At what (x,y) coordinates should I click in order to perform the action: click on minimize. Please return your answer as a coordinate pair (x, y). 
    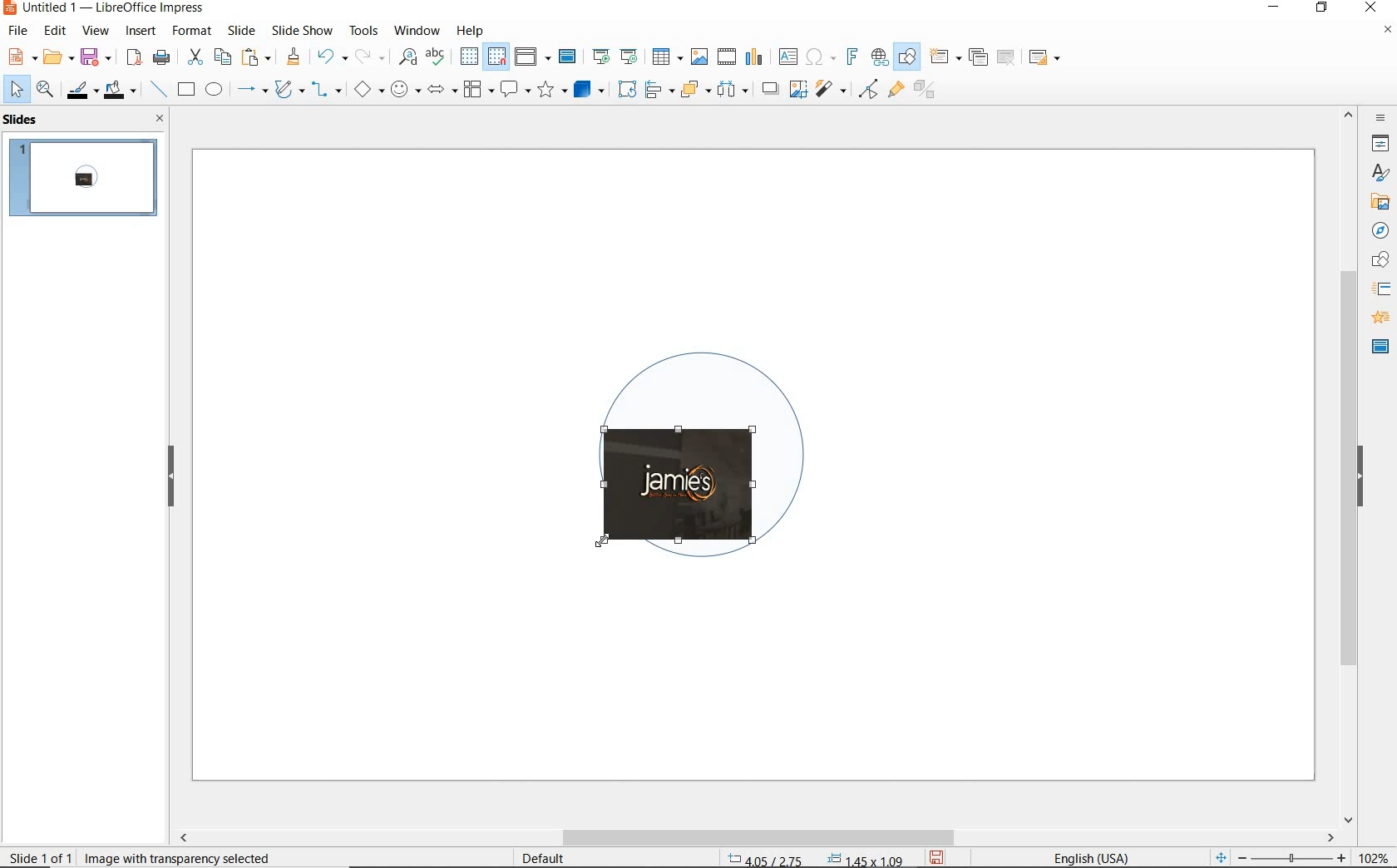
    Looking at the image, I should click on (1276, 9).